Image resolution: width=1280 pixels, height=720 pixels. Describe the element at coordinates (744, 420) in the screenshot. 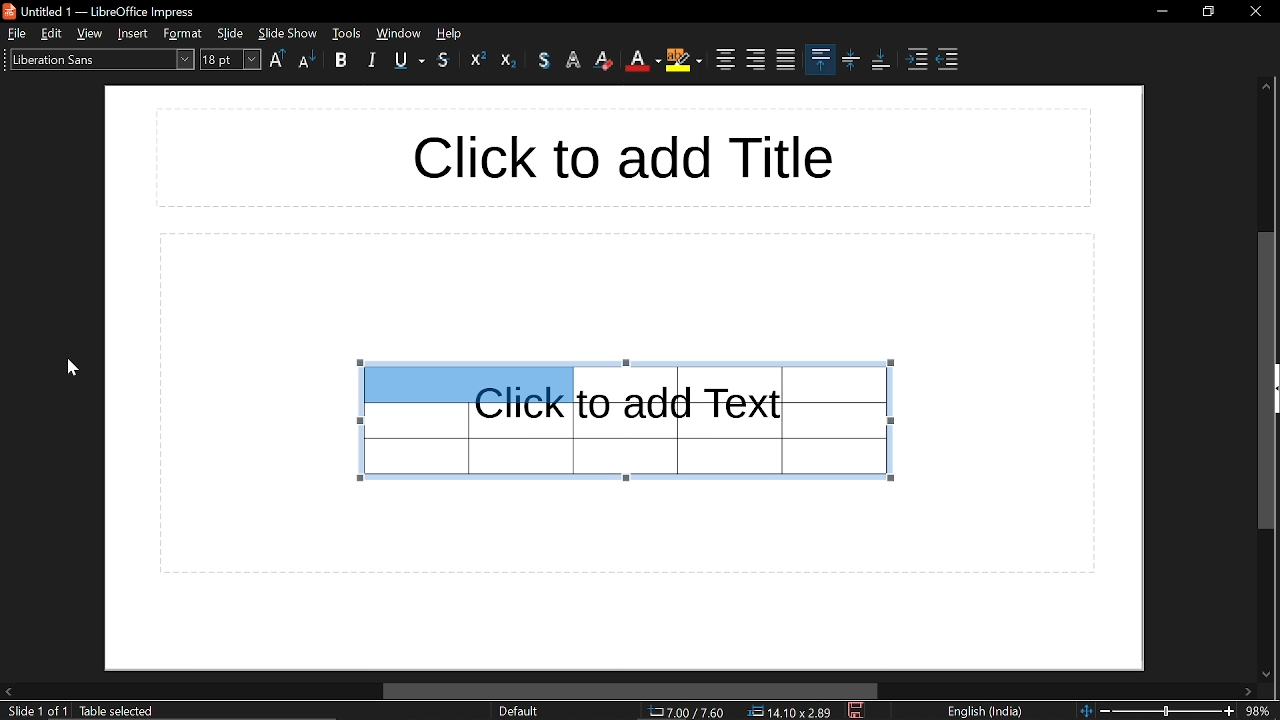

I see `Table` at that location.